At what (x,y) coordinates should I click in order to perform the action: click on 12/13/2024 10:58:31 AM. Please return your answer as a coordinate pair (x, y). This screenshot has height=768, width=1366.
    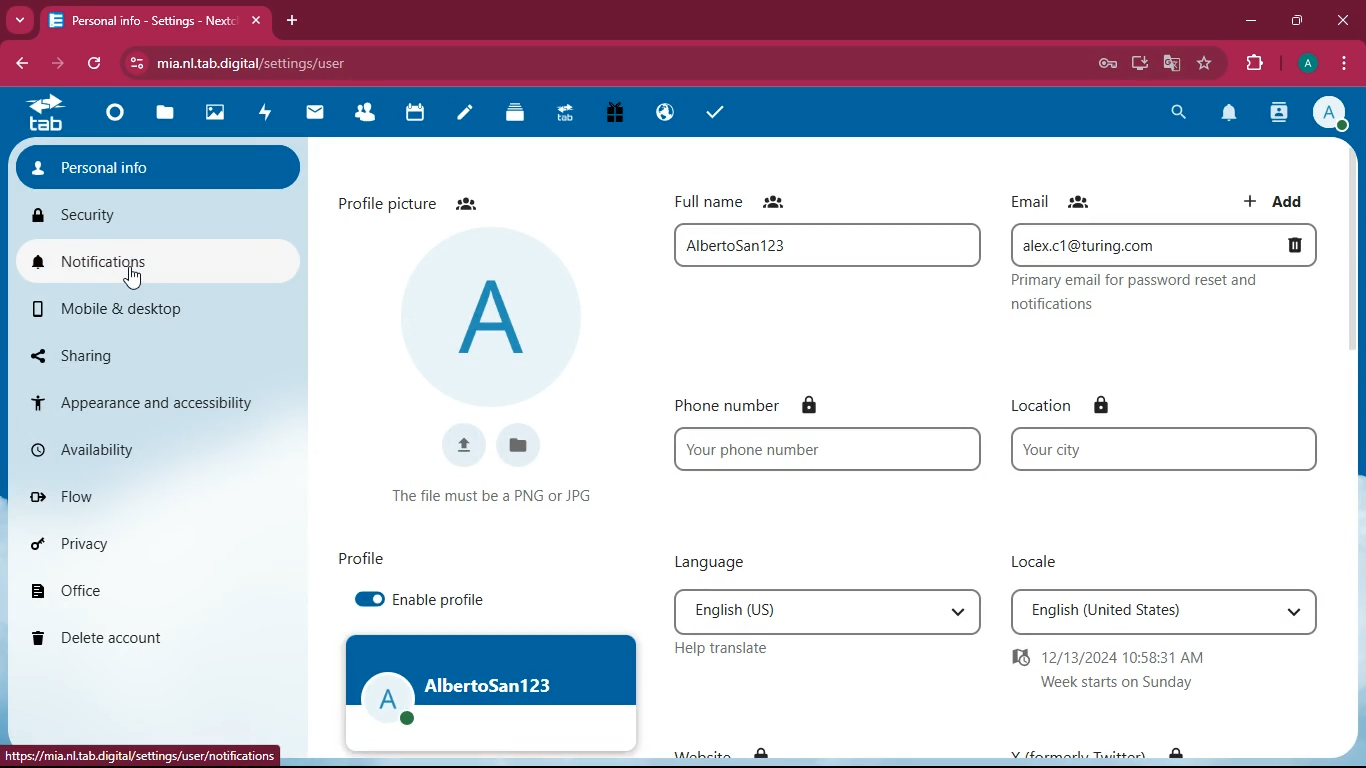
    Looking at the image, I should click on (1115, 656).